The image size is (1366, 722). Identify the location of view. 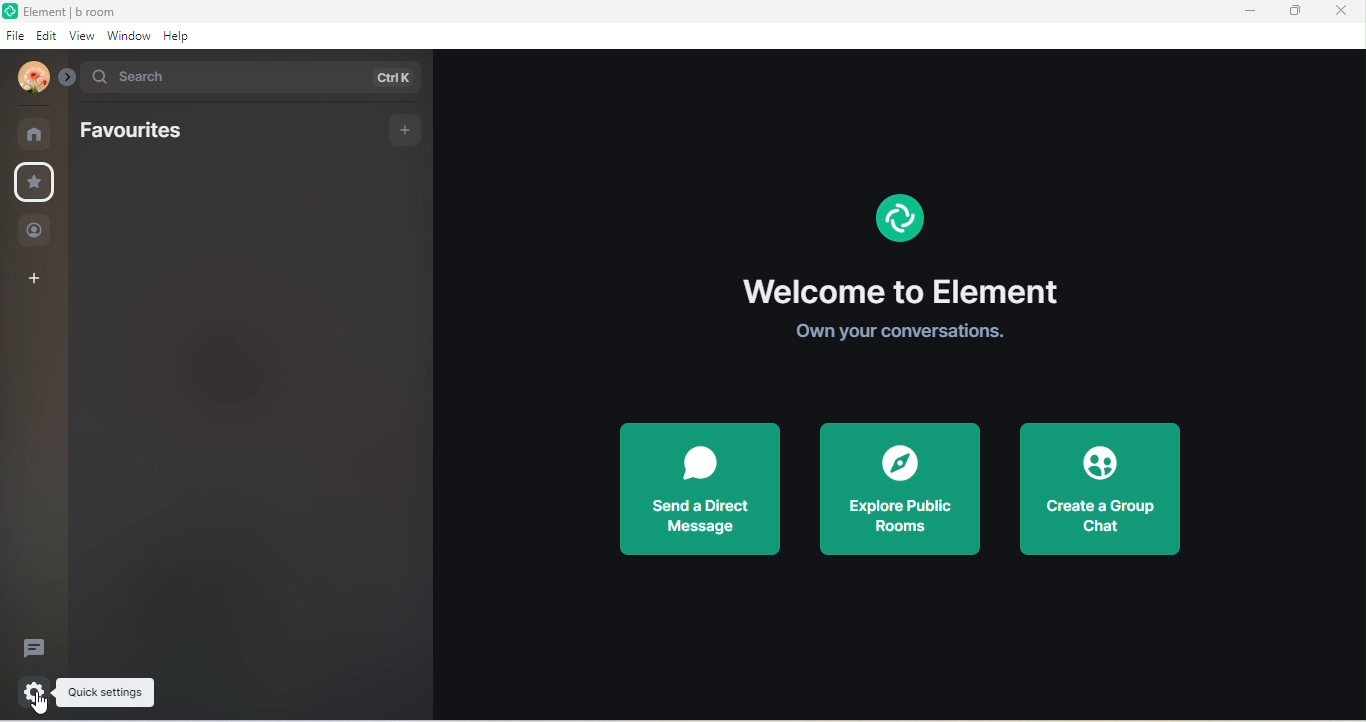
(81, 35).